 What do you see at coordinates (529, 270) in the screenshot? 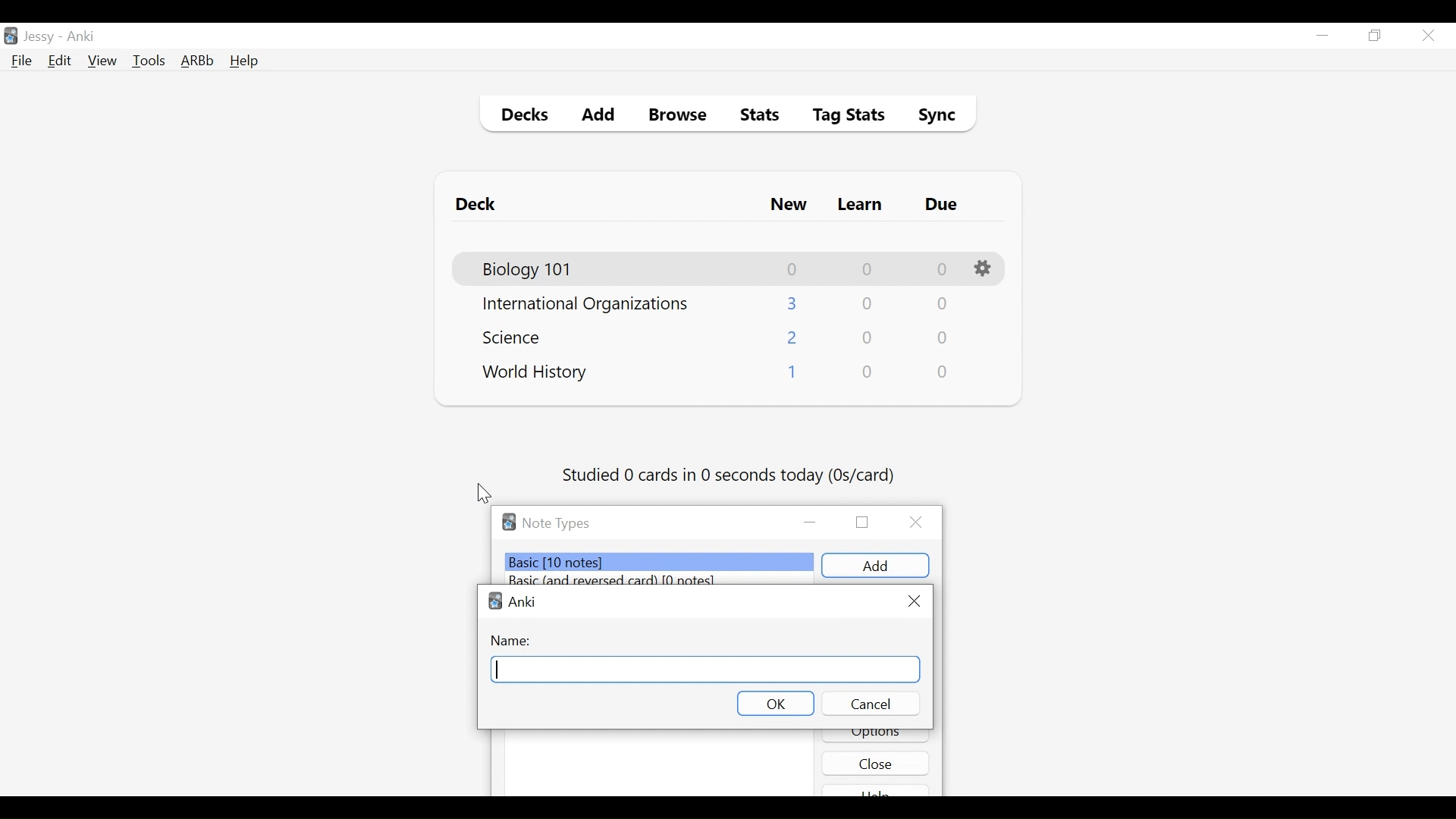
I see `Deck Name` at bounding box center [529, 270].